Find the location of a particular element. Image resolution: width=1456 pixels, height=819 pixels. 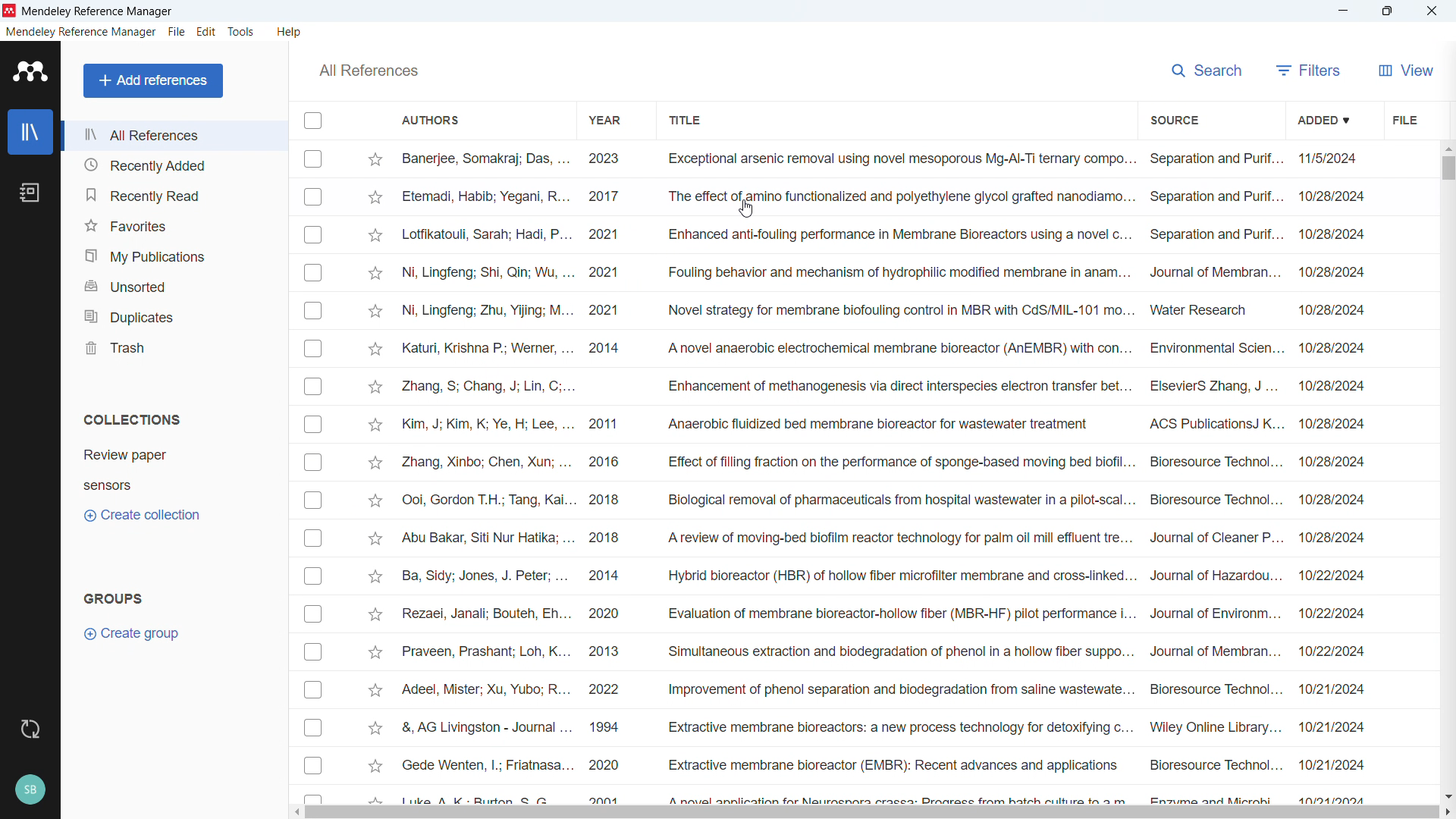

file is located at coordinates (177, 32).